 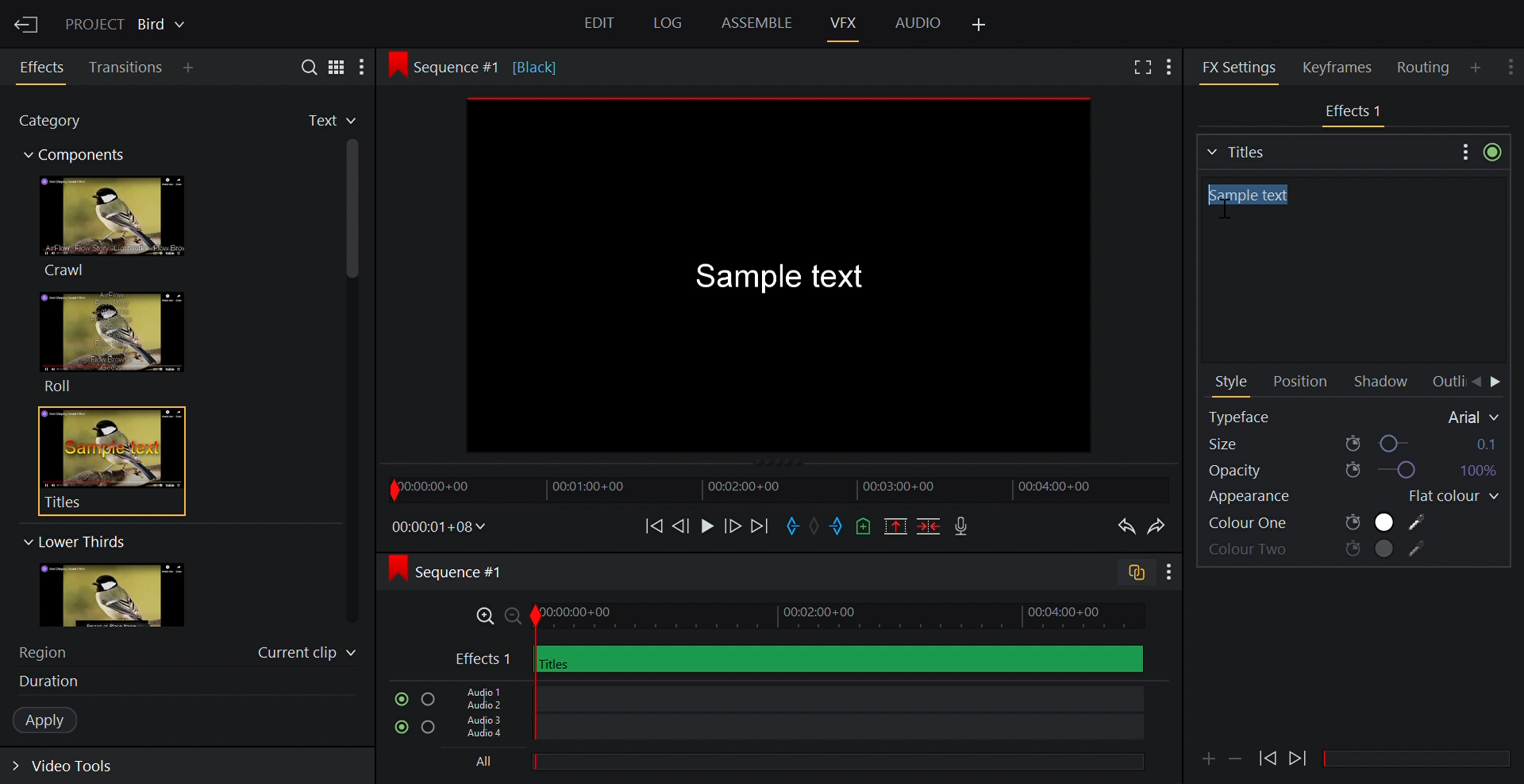 I want to click on Edit, so click(x=602, y=25).